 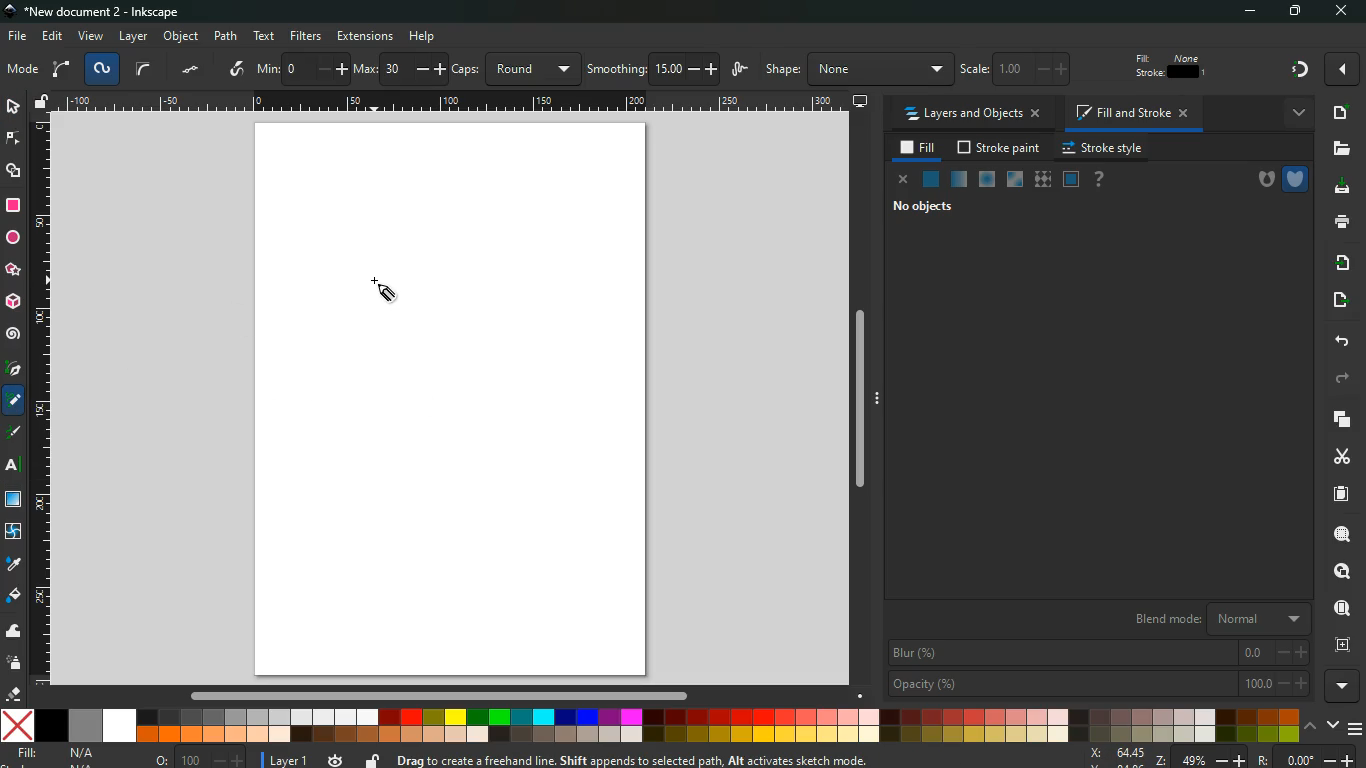 What do you see at coordinates (680, 759) in the screenshot?
I see `message` at bounding box center [680, 759].